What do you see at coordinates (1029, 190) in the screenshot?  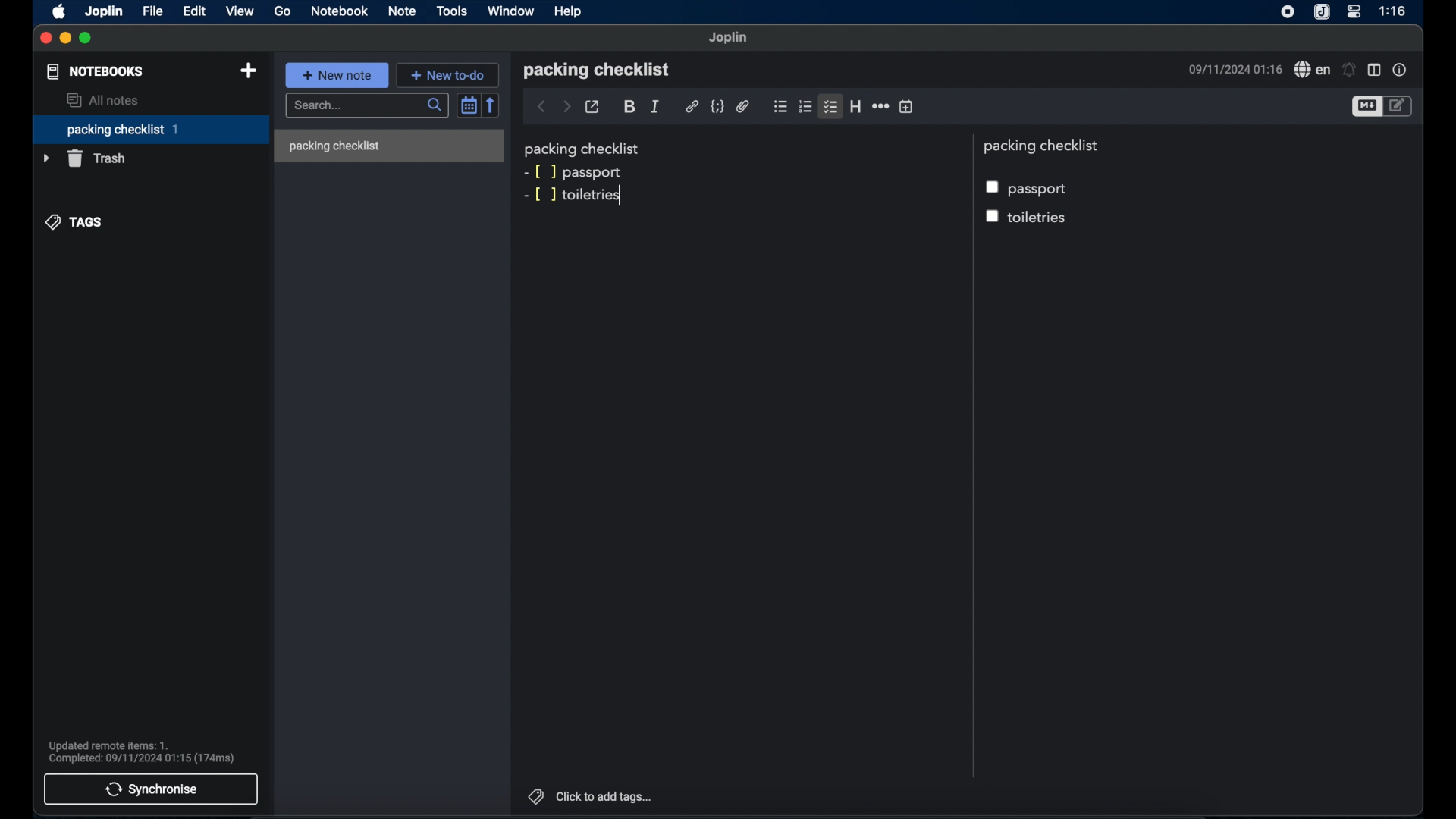 I see `passport checkbox` at bounding box center [1029, 190].